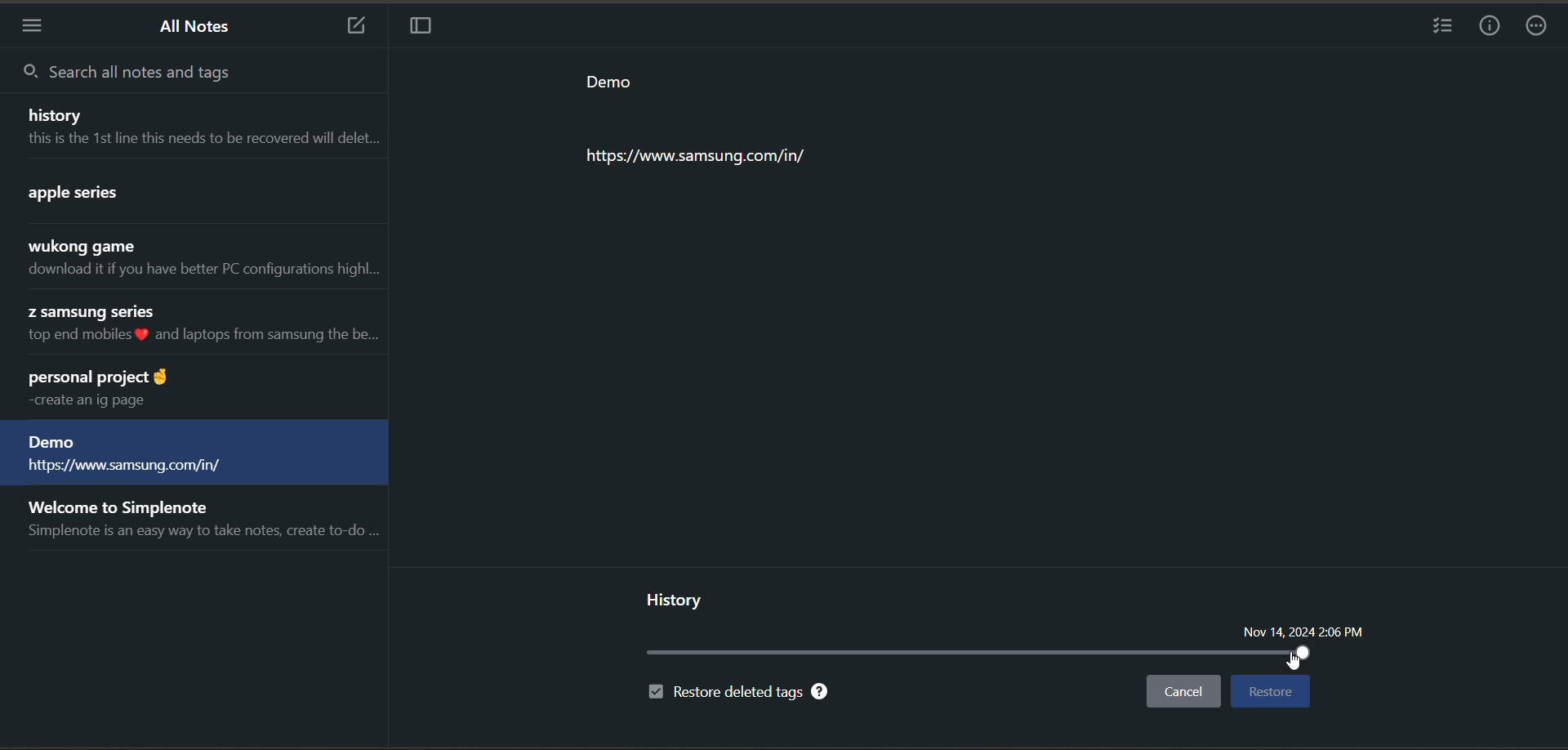  Describe the element at coordinates (189, 389) in the screenshot. I see `note title and preview` at that location.